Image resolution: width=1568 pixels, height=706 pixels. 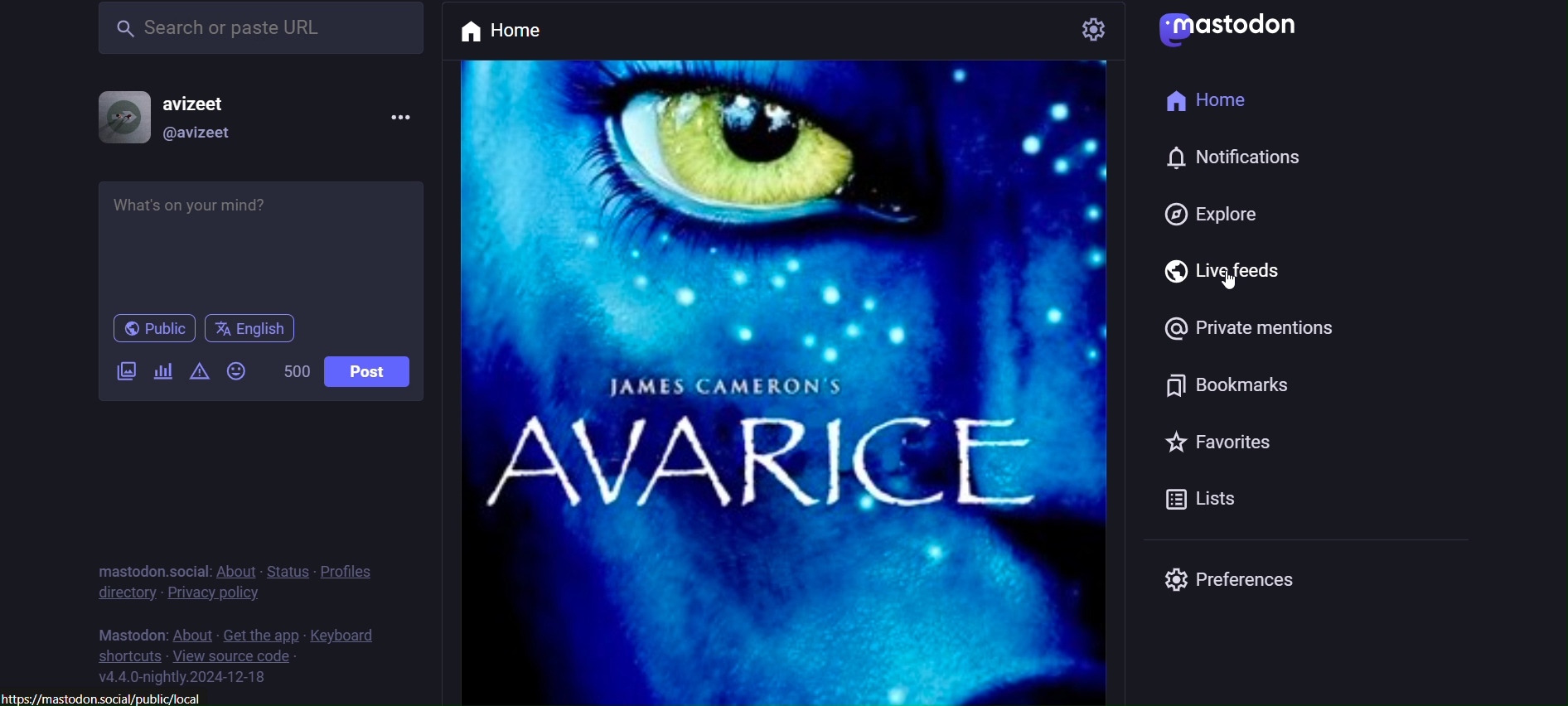 I want to click on directory, so click(x=126, y=596).